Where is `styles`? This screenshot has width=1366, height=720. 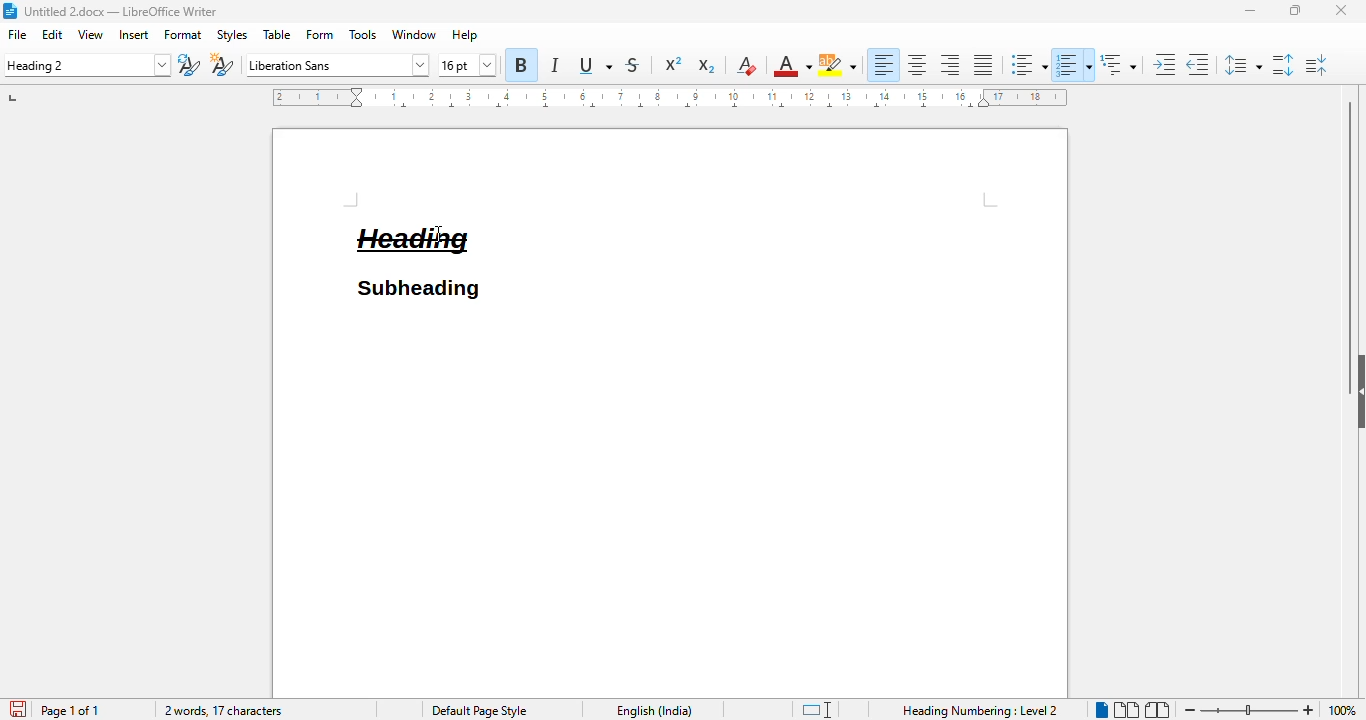
styles is located at coordinates (232, 36).